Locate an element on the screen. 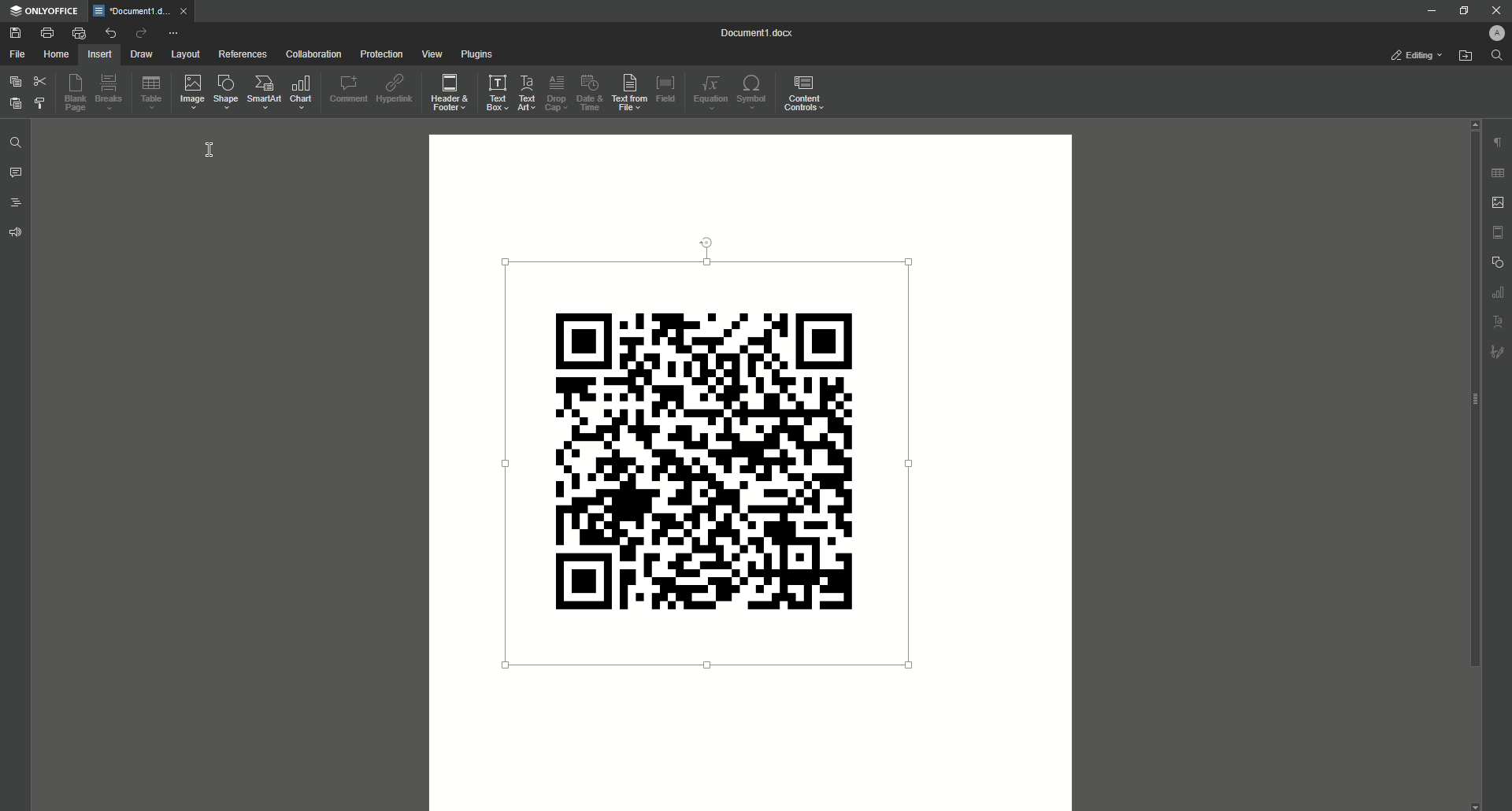  Shape is located at coordinates (226, 94).